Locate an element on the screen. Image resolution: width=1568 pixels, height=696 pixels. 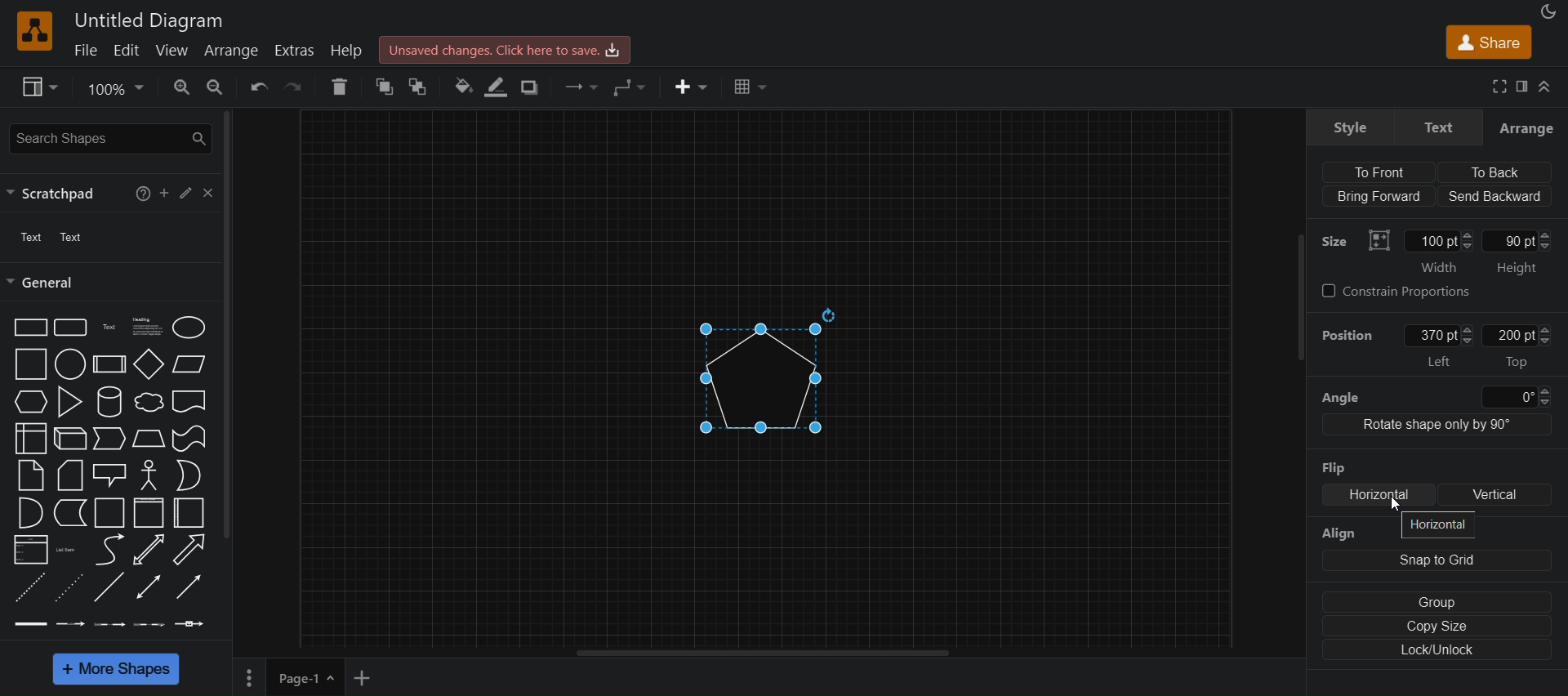
Cube is located at coordinates (70, 439).